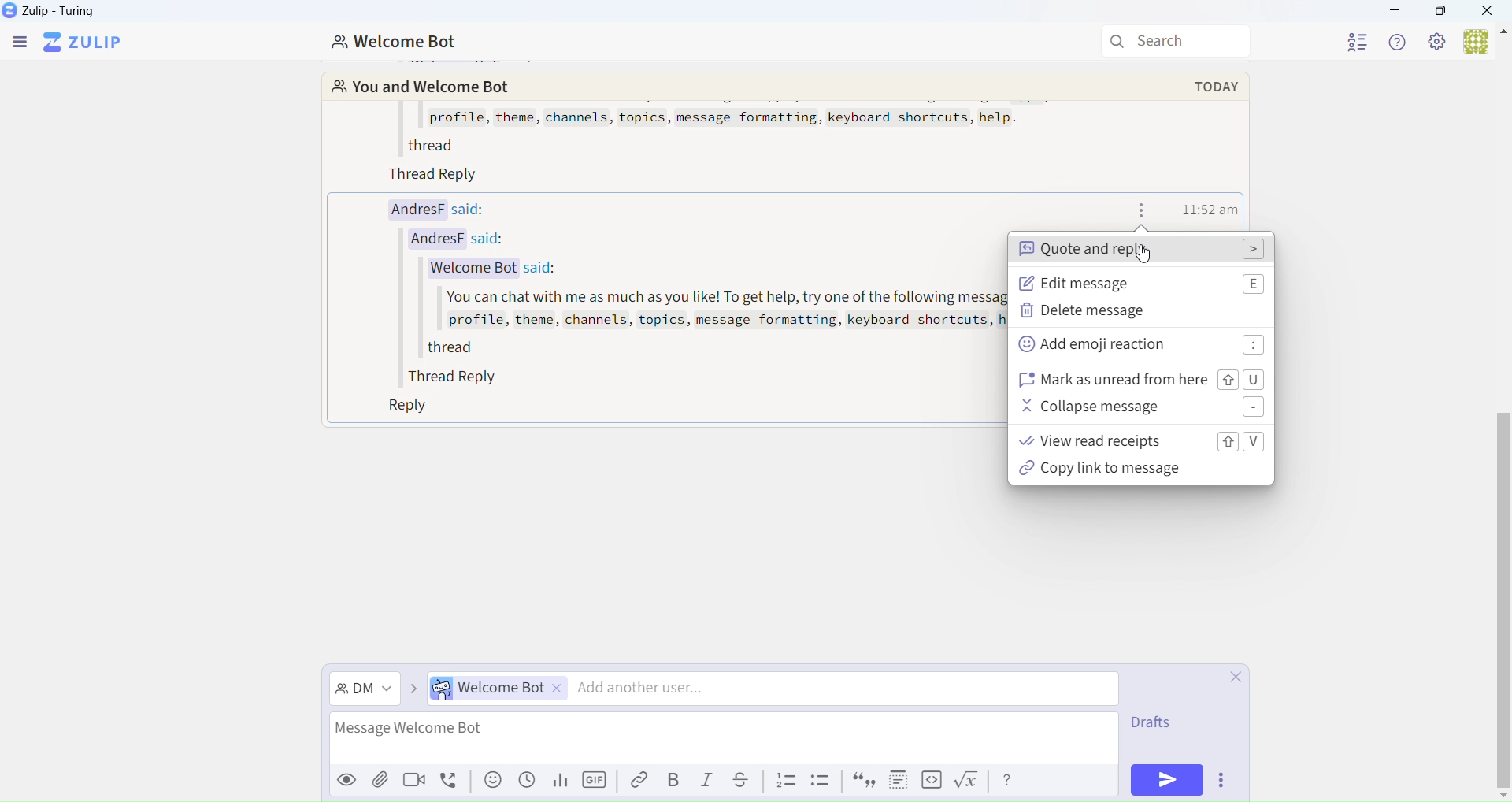 Image resolution: width=1512 pixels, height=802 pixels. What do you see at coordinates (526, 782) in the screenshot?
I see `Schedule` at bounding box center [526, 782].